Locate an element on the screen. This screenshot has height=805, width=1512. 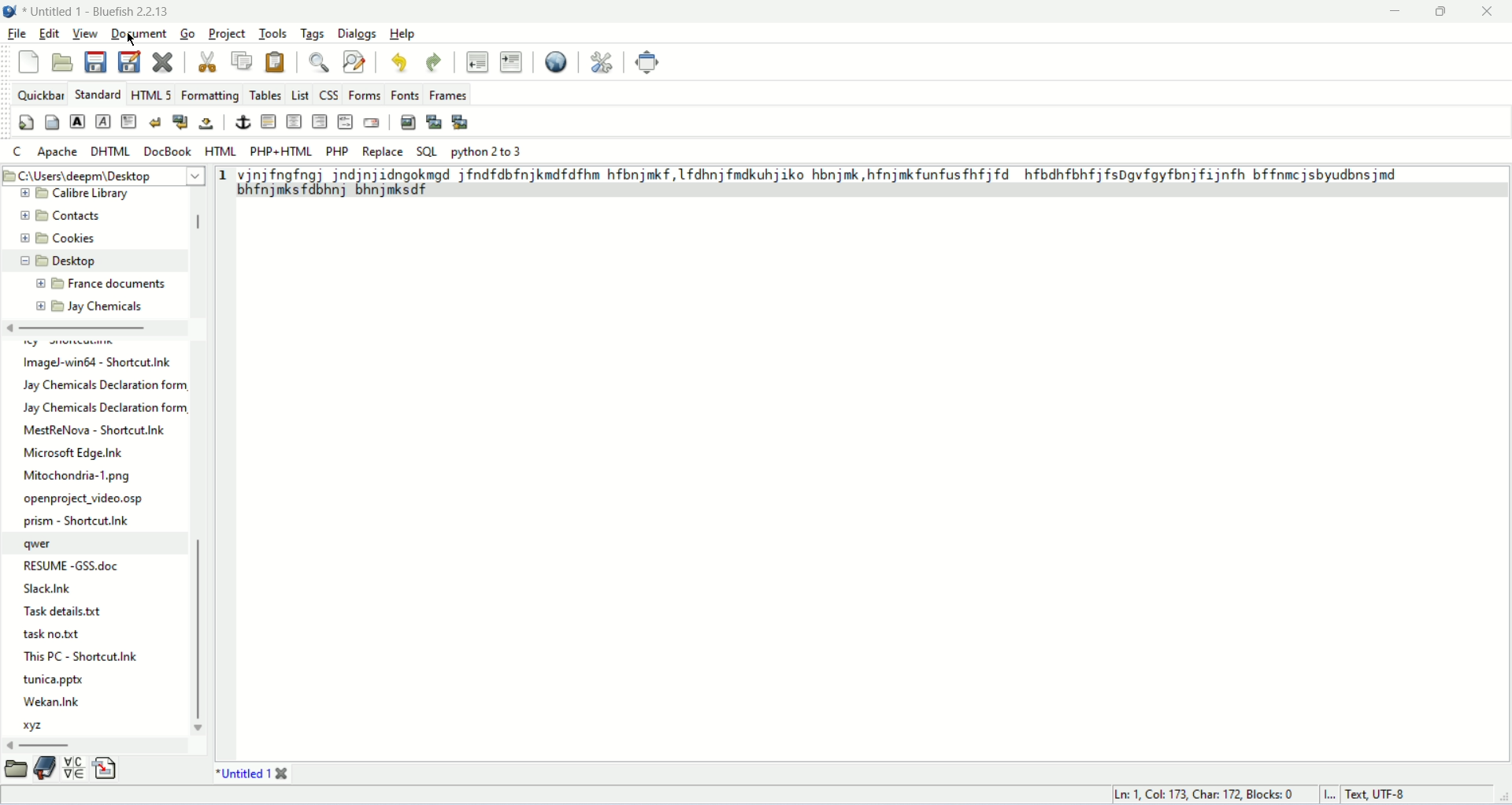
title is located at coordinates (240, 772).